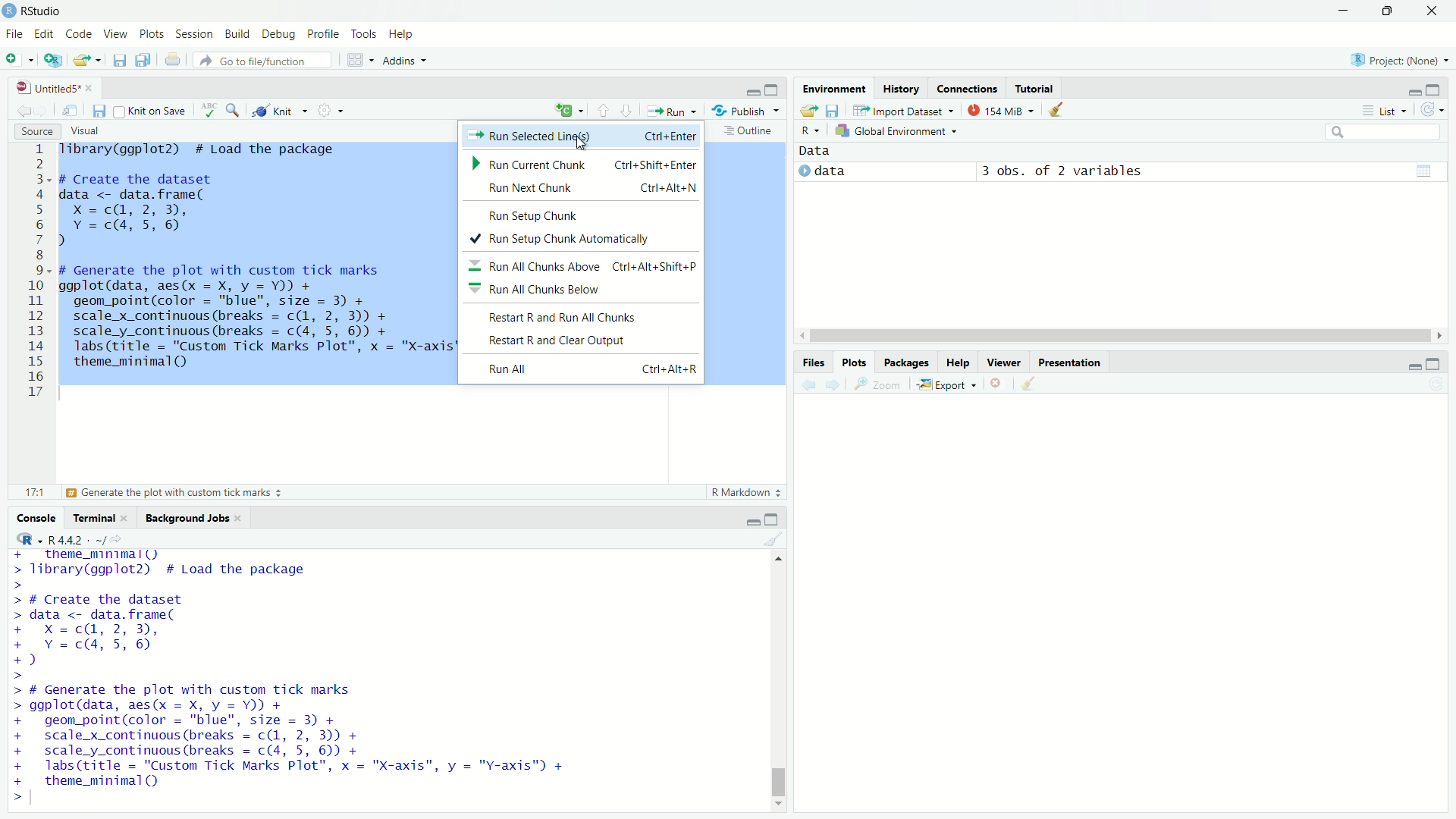 Image resolution: width=1456 pixels, height=819 pixels. I want to click on library to load the package, so click(217, 150).